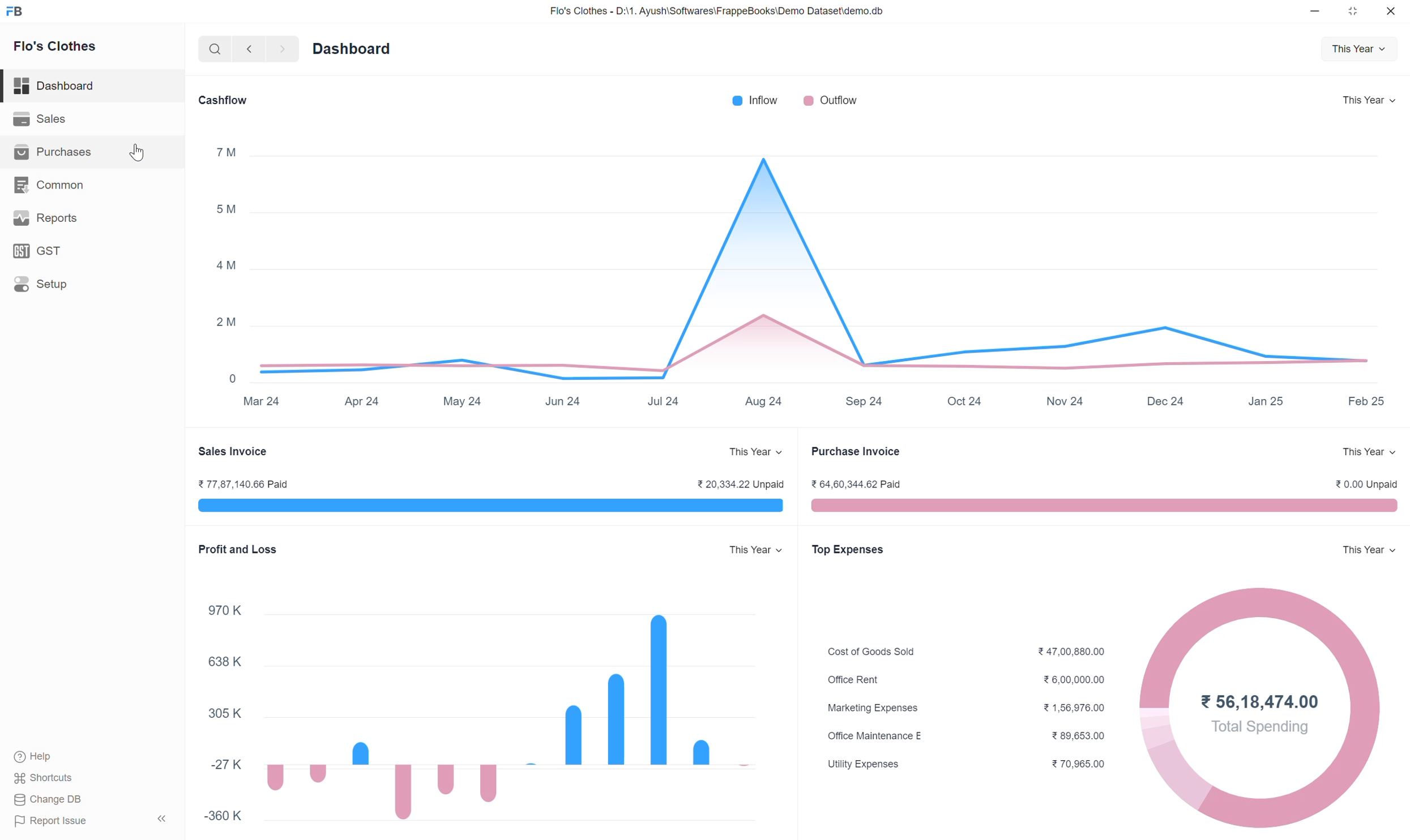  I want to click on Previous, so click(249, 49).